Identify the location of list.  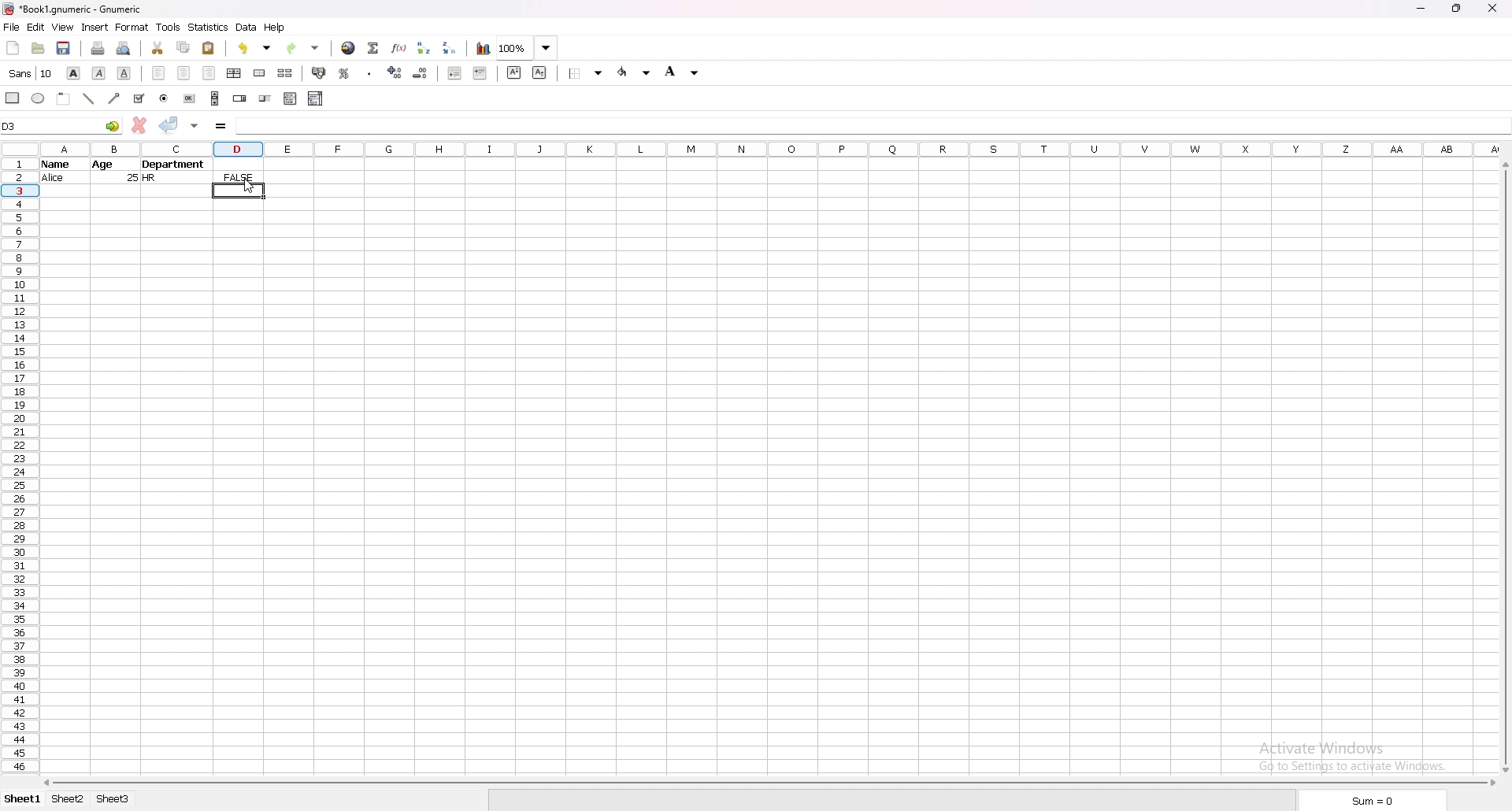
(291, 98).